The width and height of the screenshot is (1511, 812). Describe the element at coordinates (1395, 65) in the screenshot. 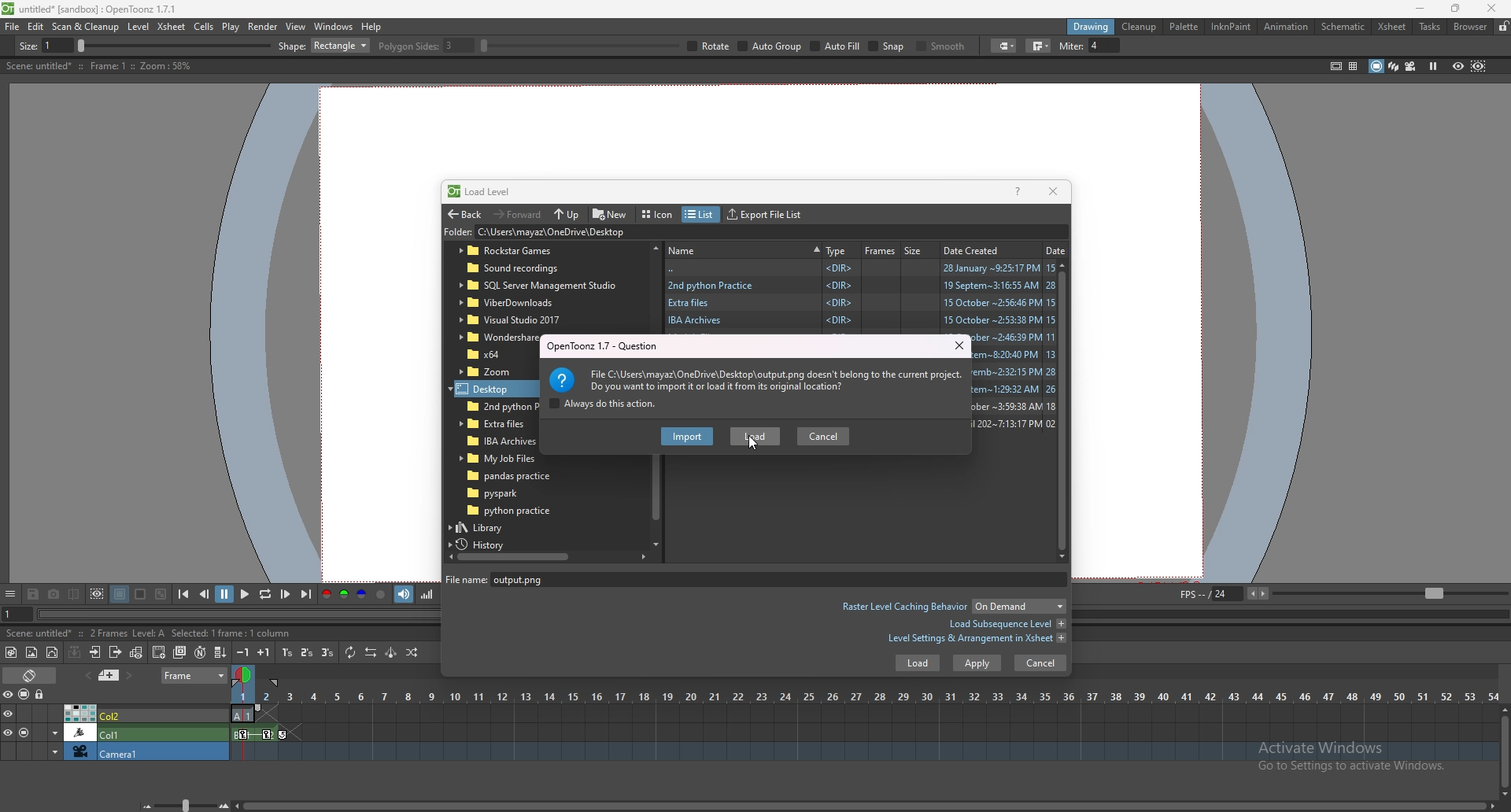

I see `3d view` at that location.